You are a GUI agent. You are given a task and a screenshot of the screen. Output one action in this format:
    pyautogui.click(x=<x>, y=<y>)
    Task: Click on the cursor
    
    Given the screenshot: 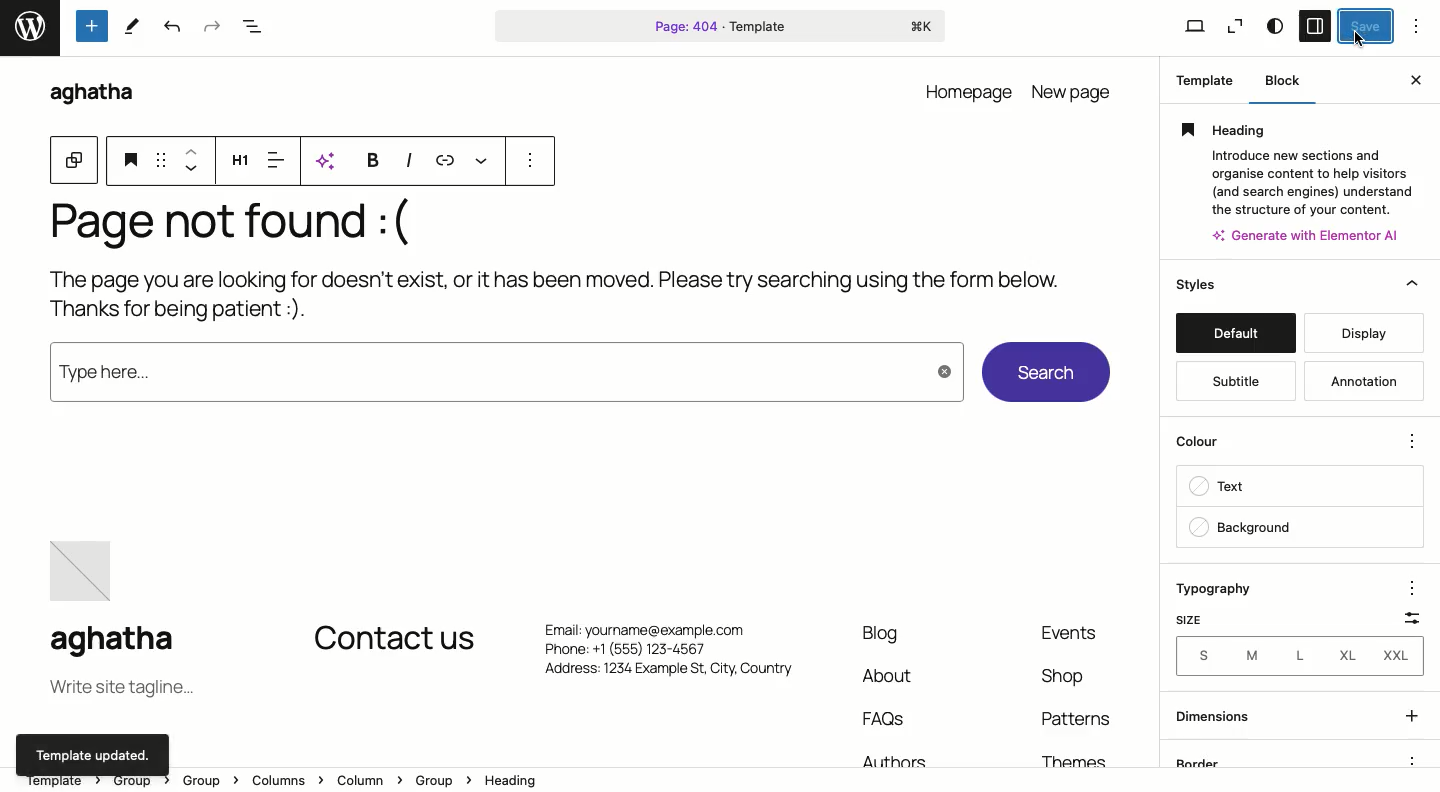 What is the action you would take?
    pyautogui.click(x=1359, y=40)
    